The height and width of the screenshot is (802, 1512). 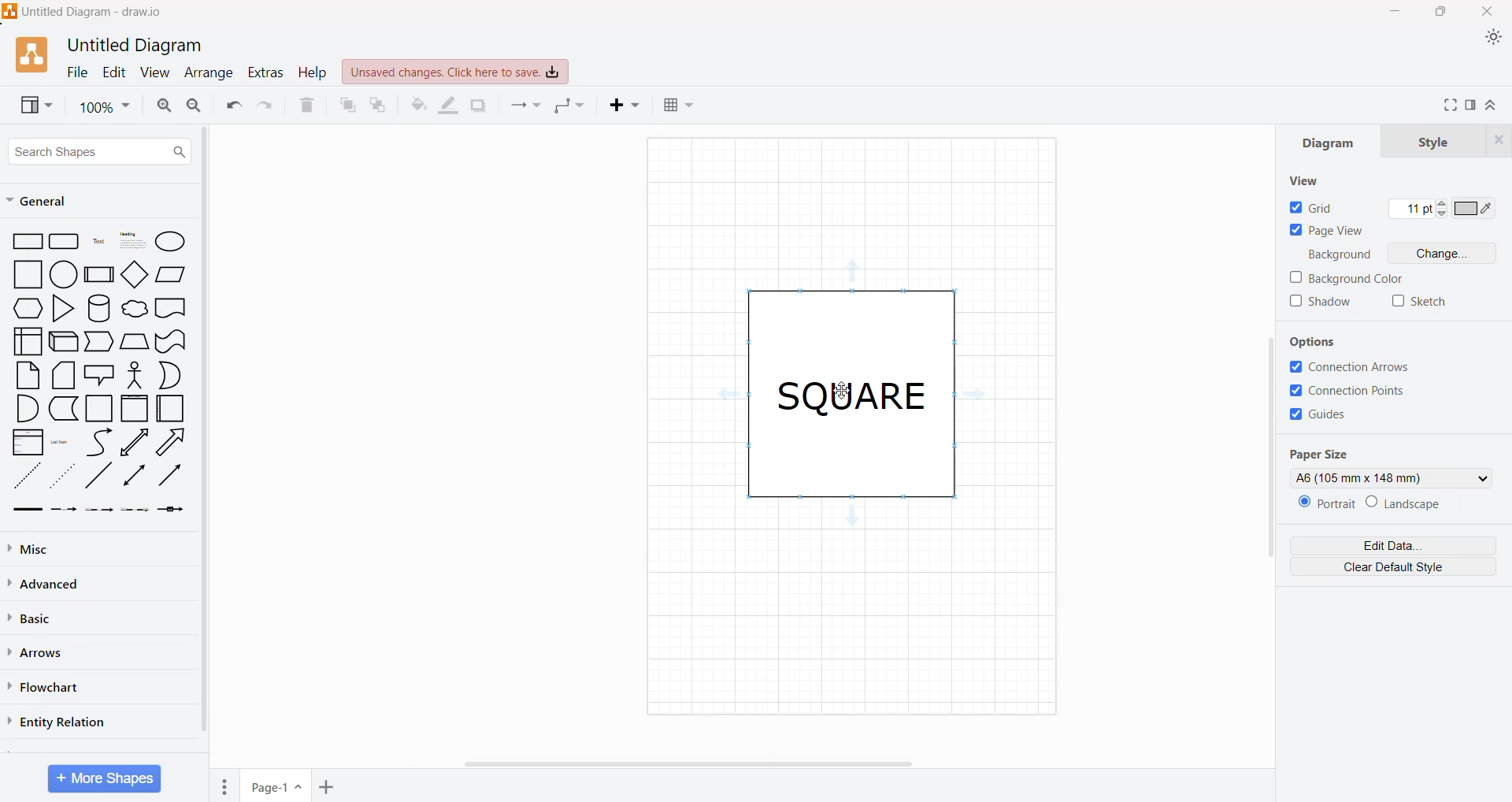 I want to click on Ellipse, so click(x=170, y=243).